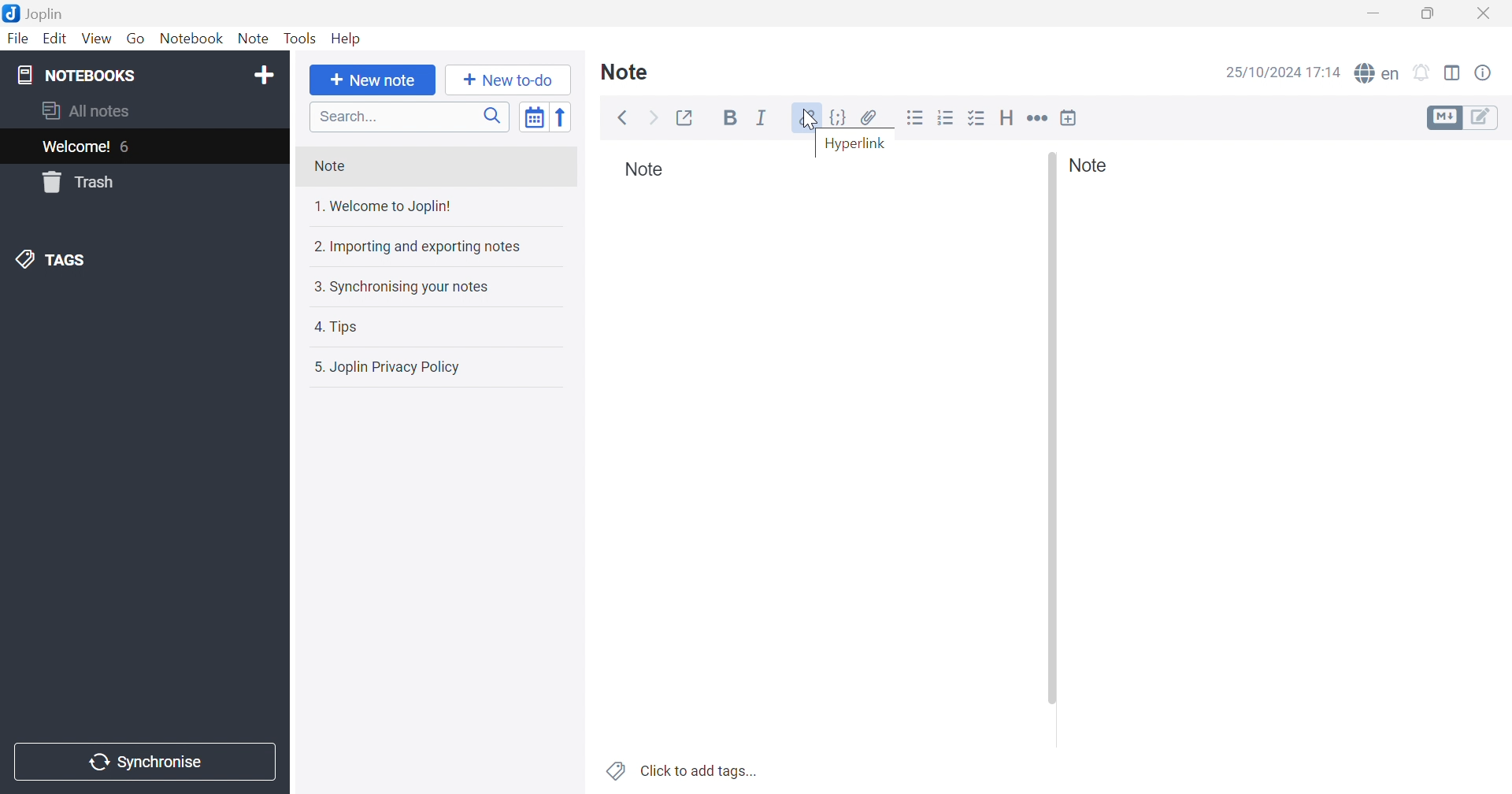 The height and width of the screenshot is (794, 1512). Describe the element at coordinates (535, 118) in the screenshot. I see `Toggle sort order field: updated date -> created date` at that location.